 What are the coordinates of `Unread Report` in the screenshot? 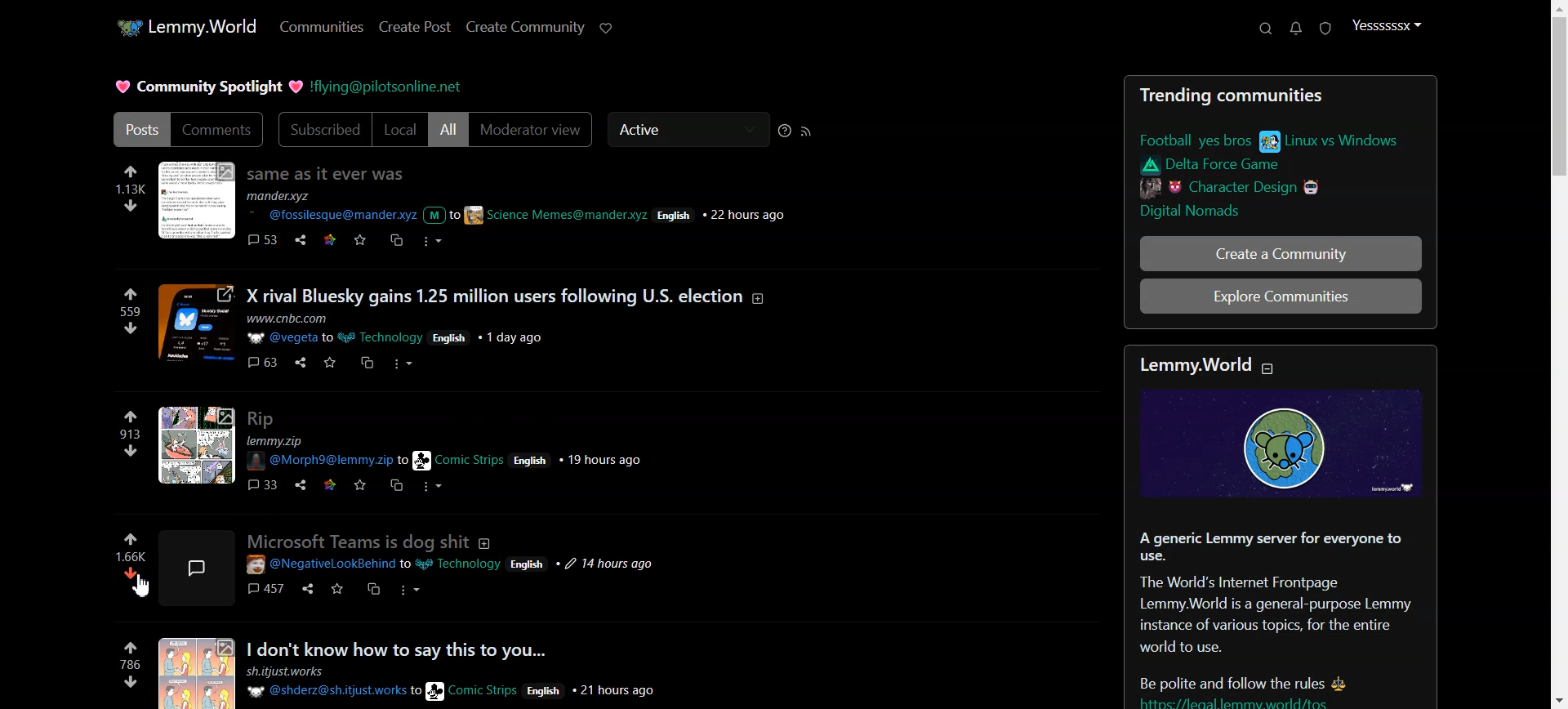 It's located at (1325, 29).